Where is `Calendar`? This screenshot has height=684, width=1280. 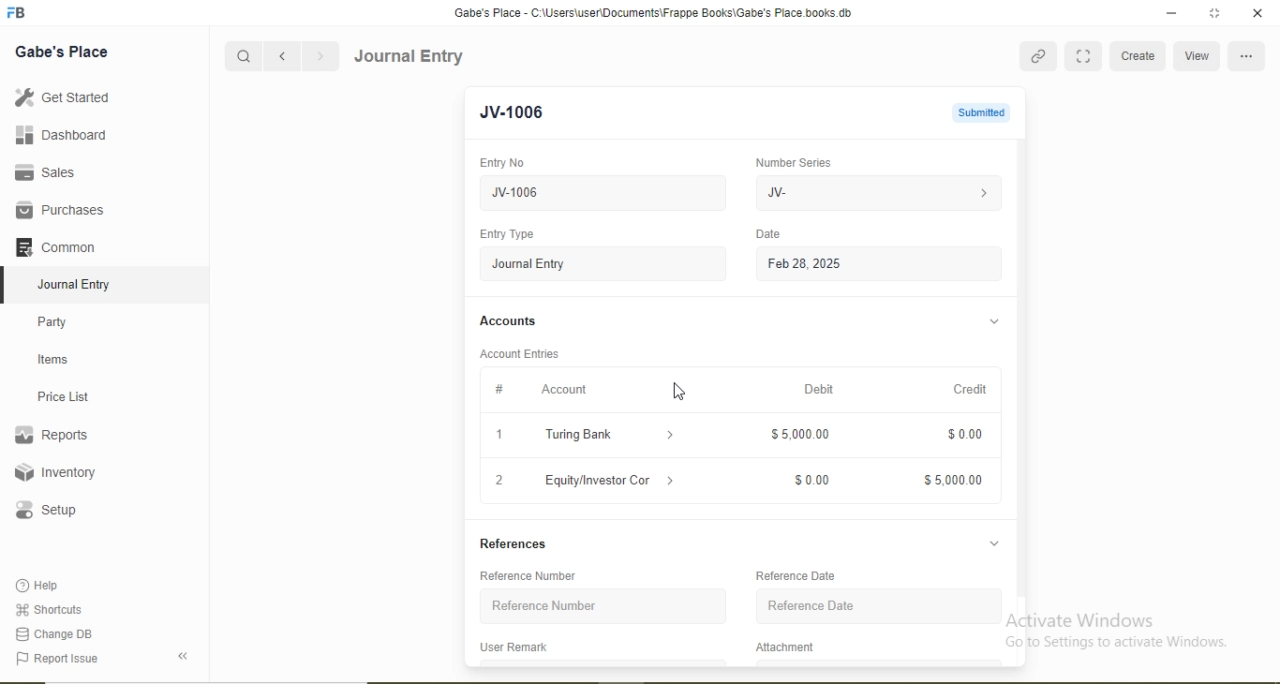 Calendar is located at coordinates (984, 265).